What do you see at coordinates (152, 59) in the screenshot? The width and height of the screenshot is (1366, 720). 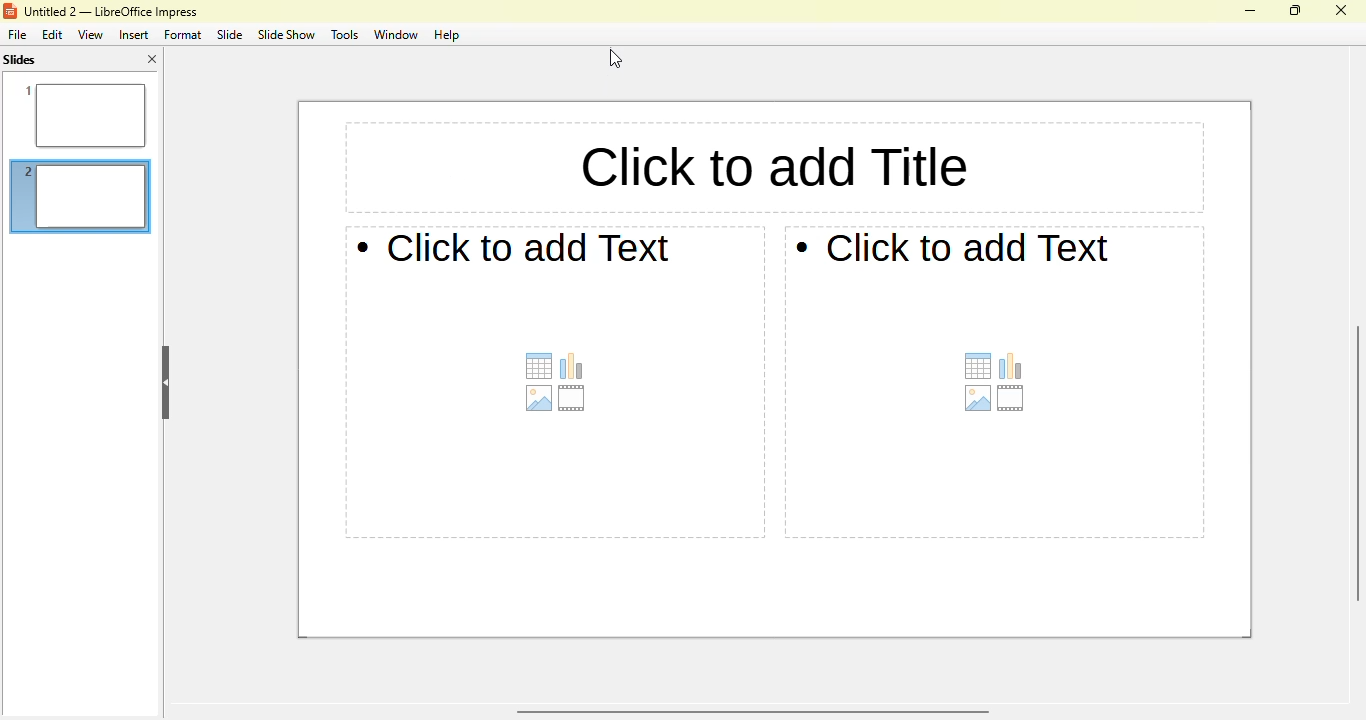 I see `close pane` at bounding box center [152, 59].